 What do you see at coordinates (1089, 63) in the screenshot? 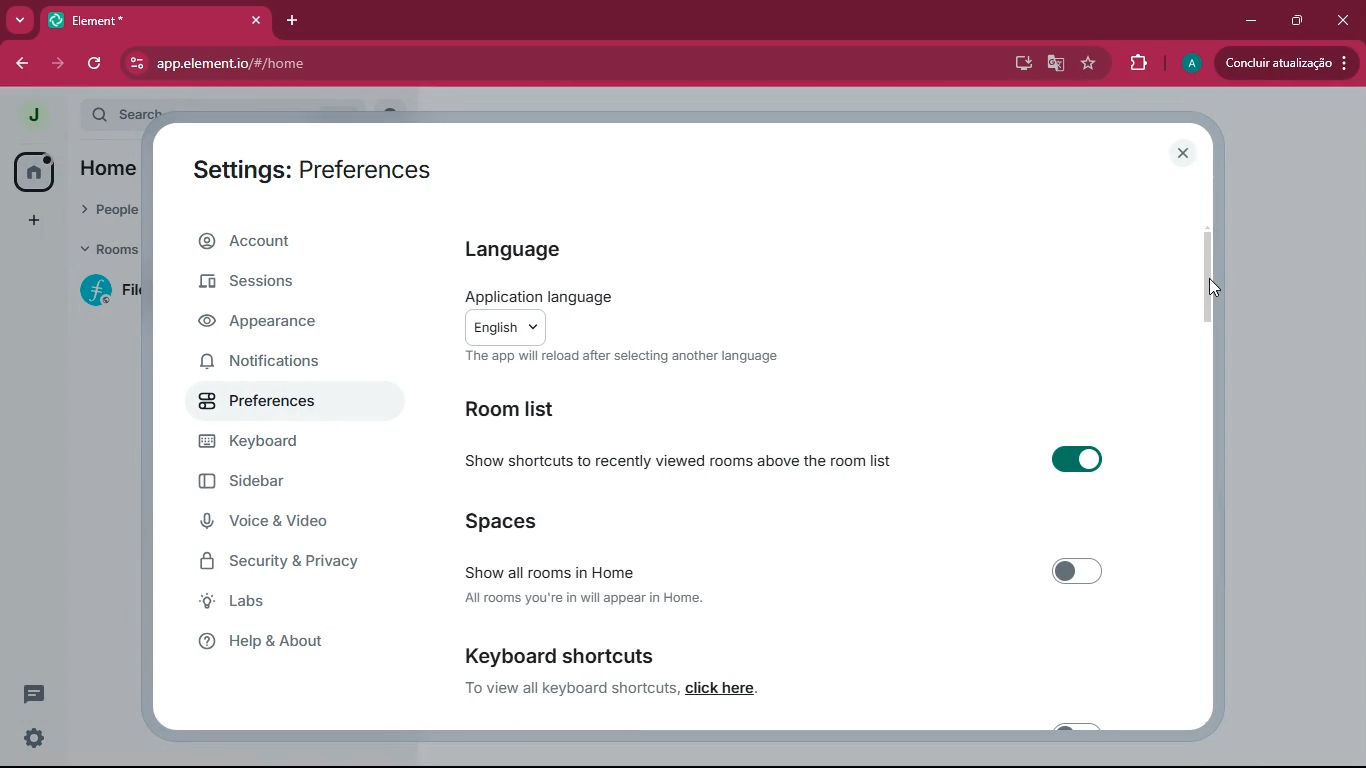
I see `favourite` at bounding box center [1089, 63].